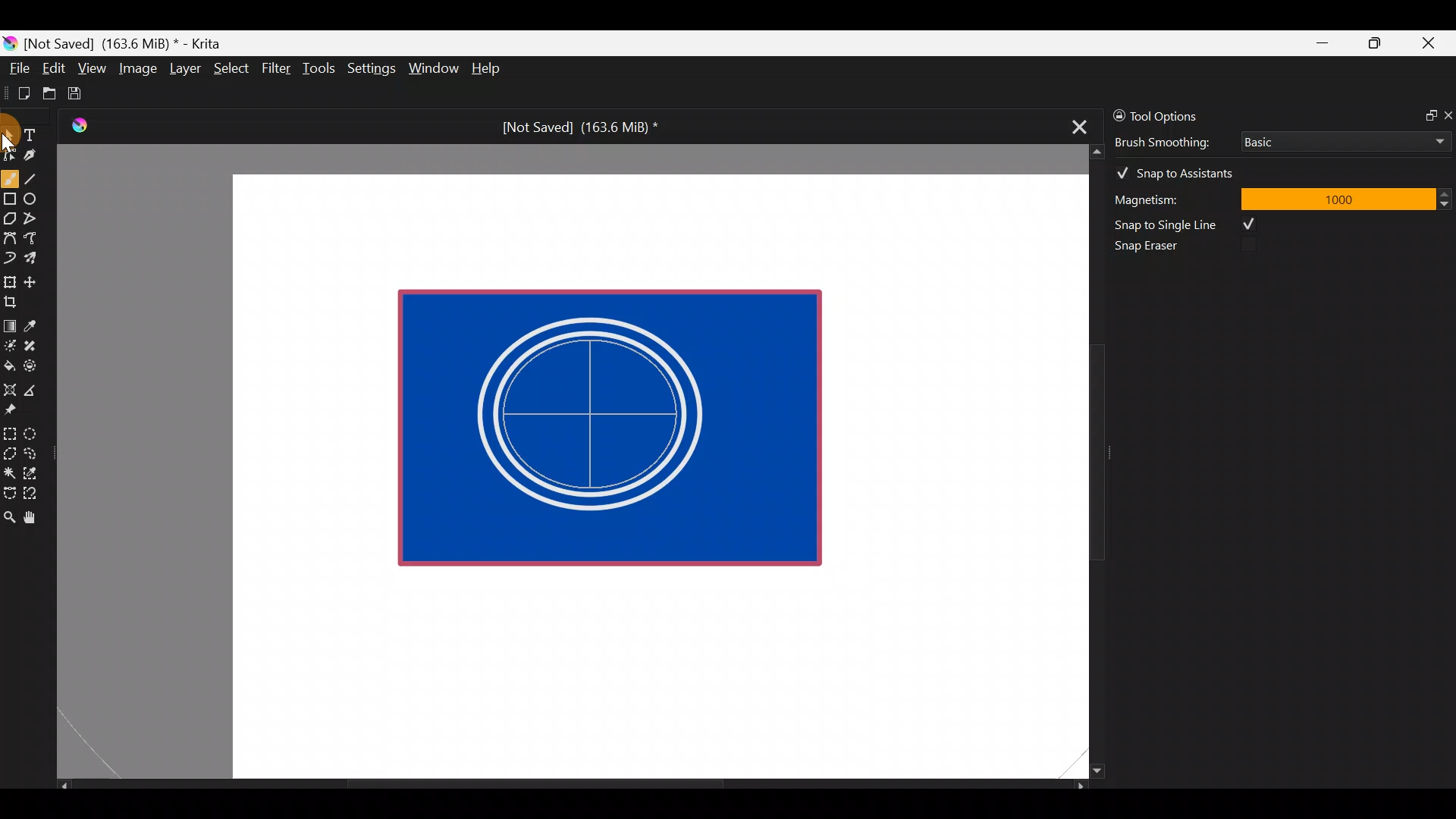  I want to click on Snap to assistants, so click(1182, 170).